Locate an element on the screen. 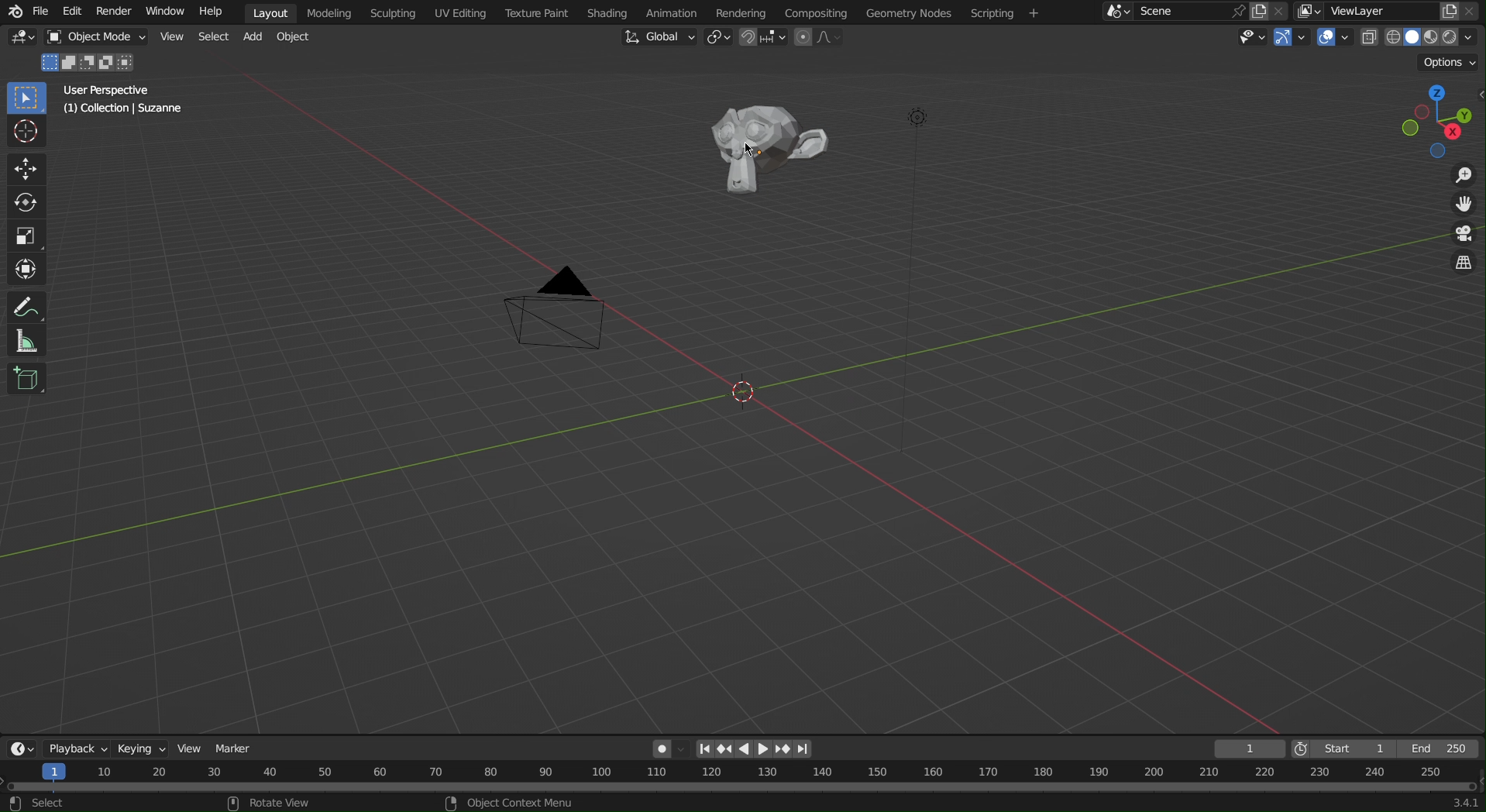  Viewport is located at coordinates (1440, 121).